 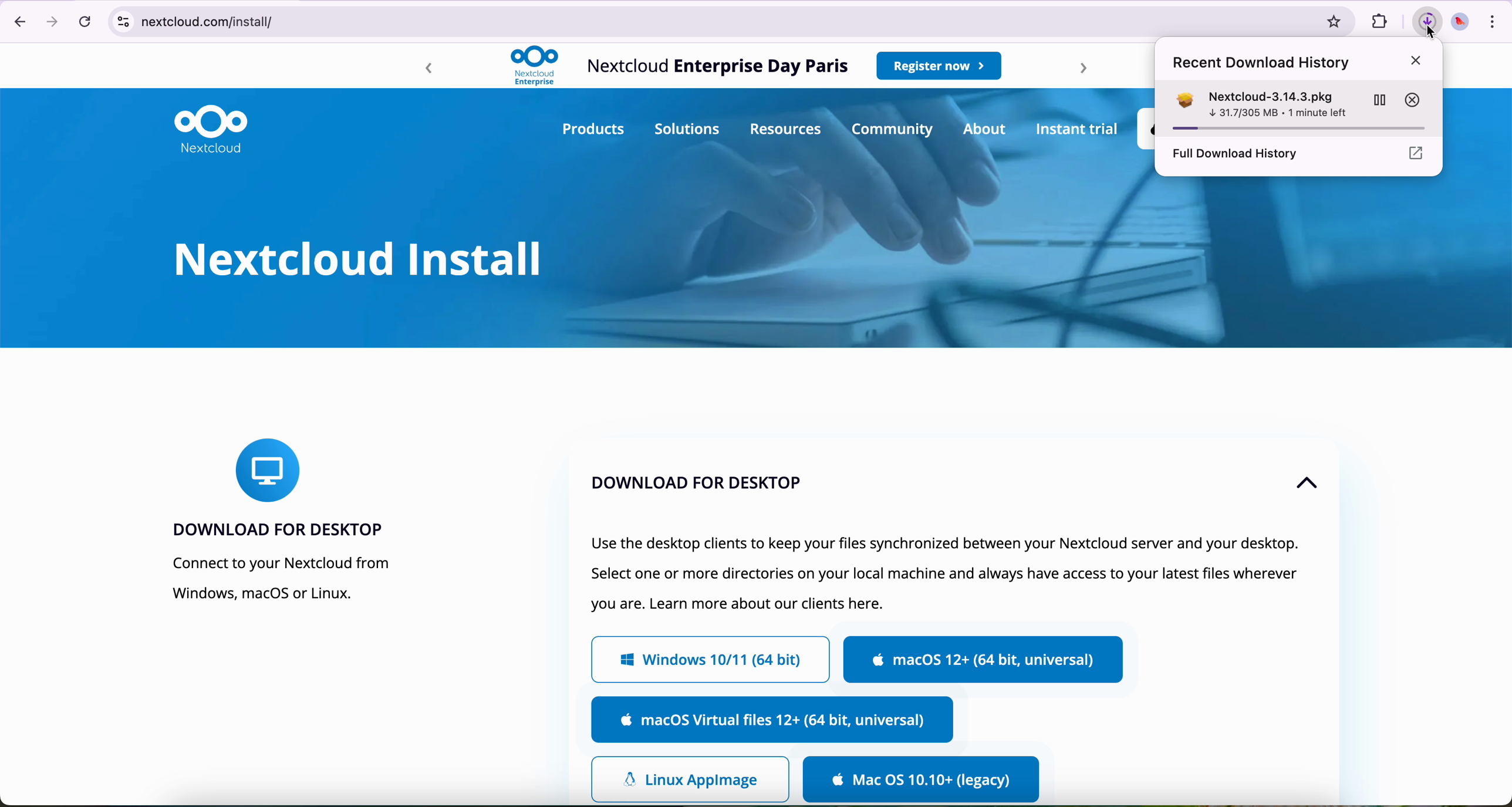 What do you see at coordinates (686, 128) in the screenshot?
I see `solutions` at bounding box center [686, 128].